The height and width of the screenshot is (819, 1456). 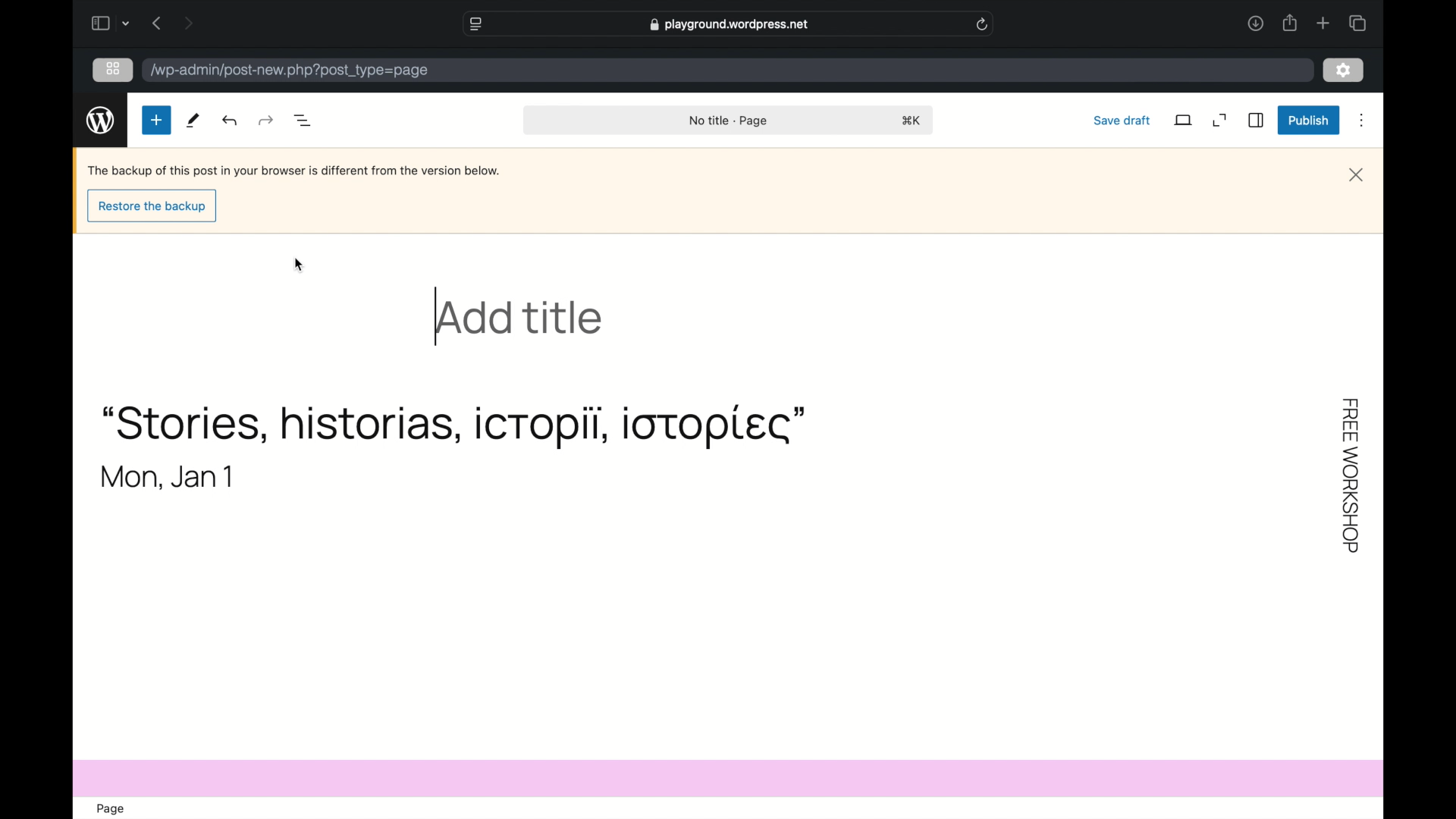 What do you see at coordinates (231, 121) in the screenshot?
I see `redo` at bounding box center [231, 121].